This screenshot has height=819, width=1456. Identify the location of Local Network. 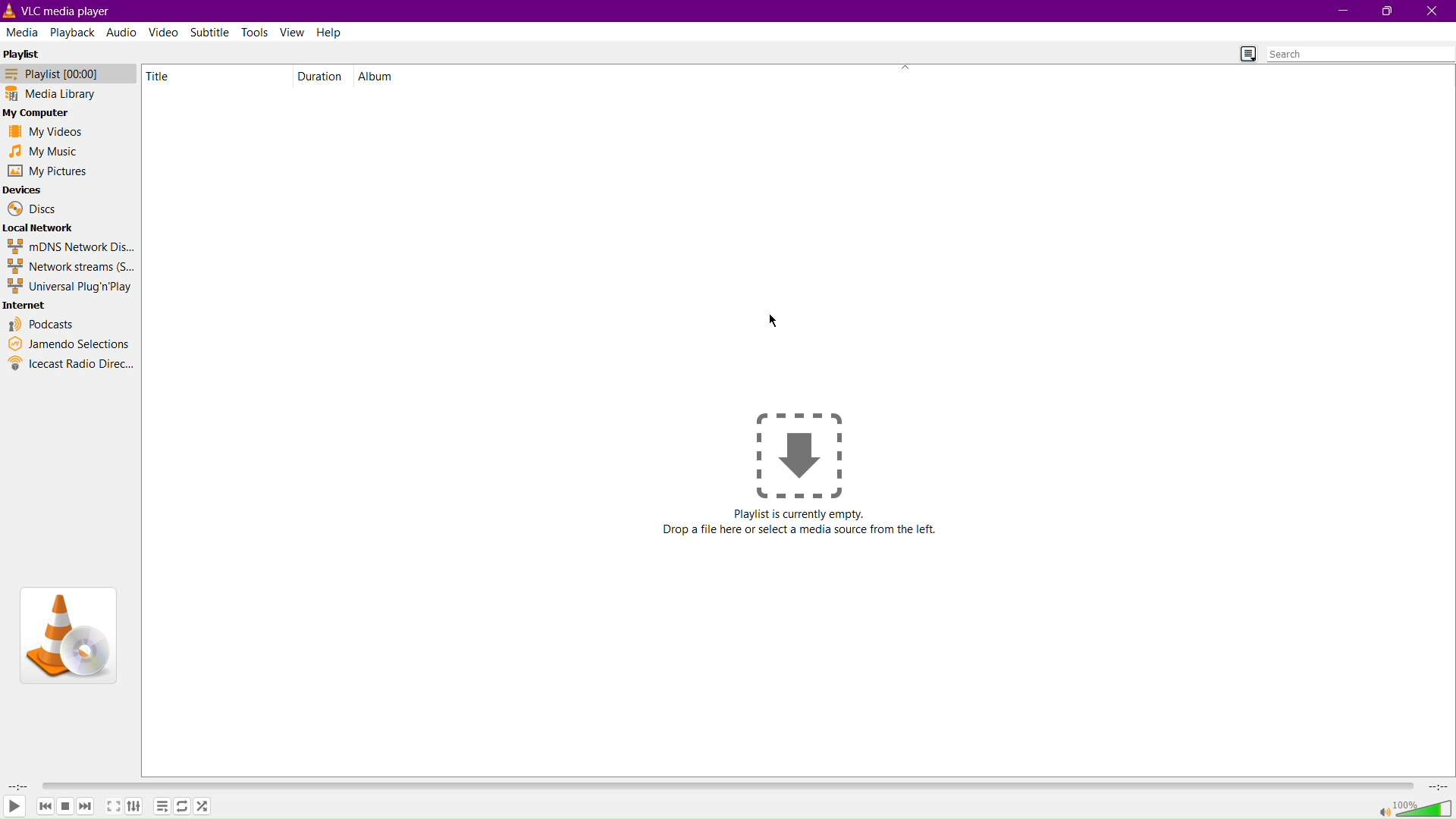
(40, 227).